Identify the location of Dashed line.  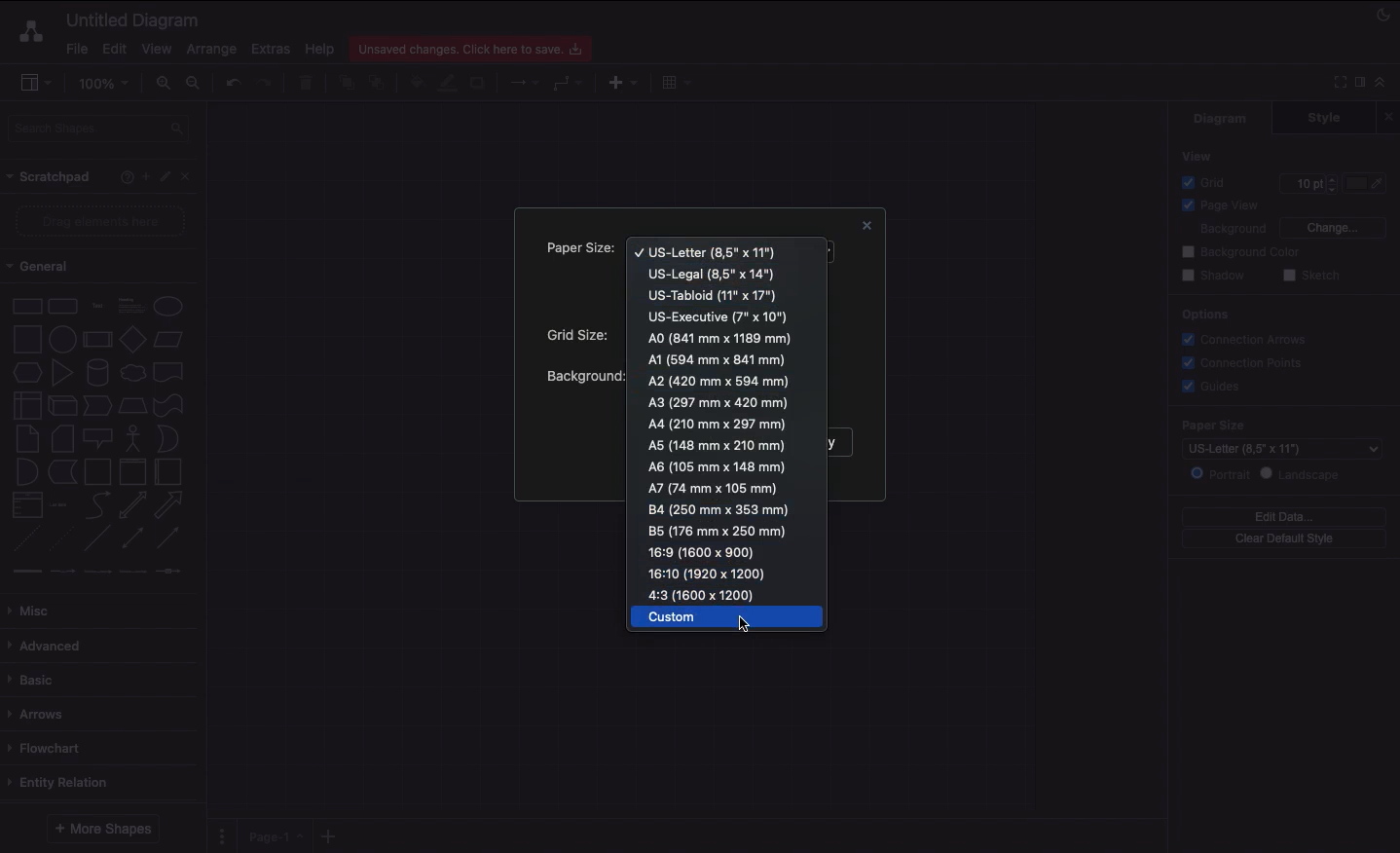
(23, 541).